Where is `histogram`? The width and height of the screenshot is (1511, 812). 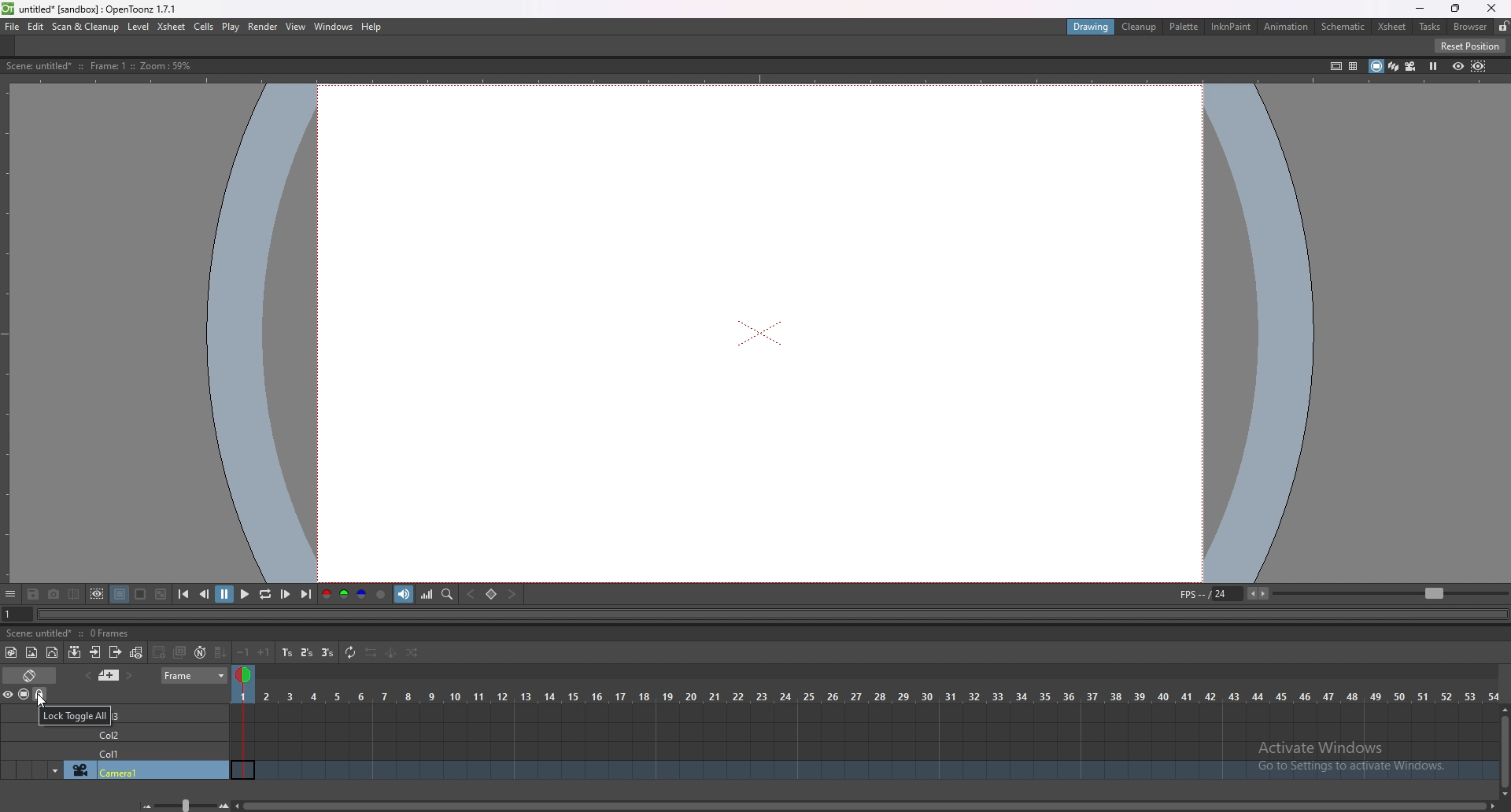 histogram is located at coordinates (428, 594).